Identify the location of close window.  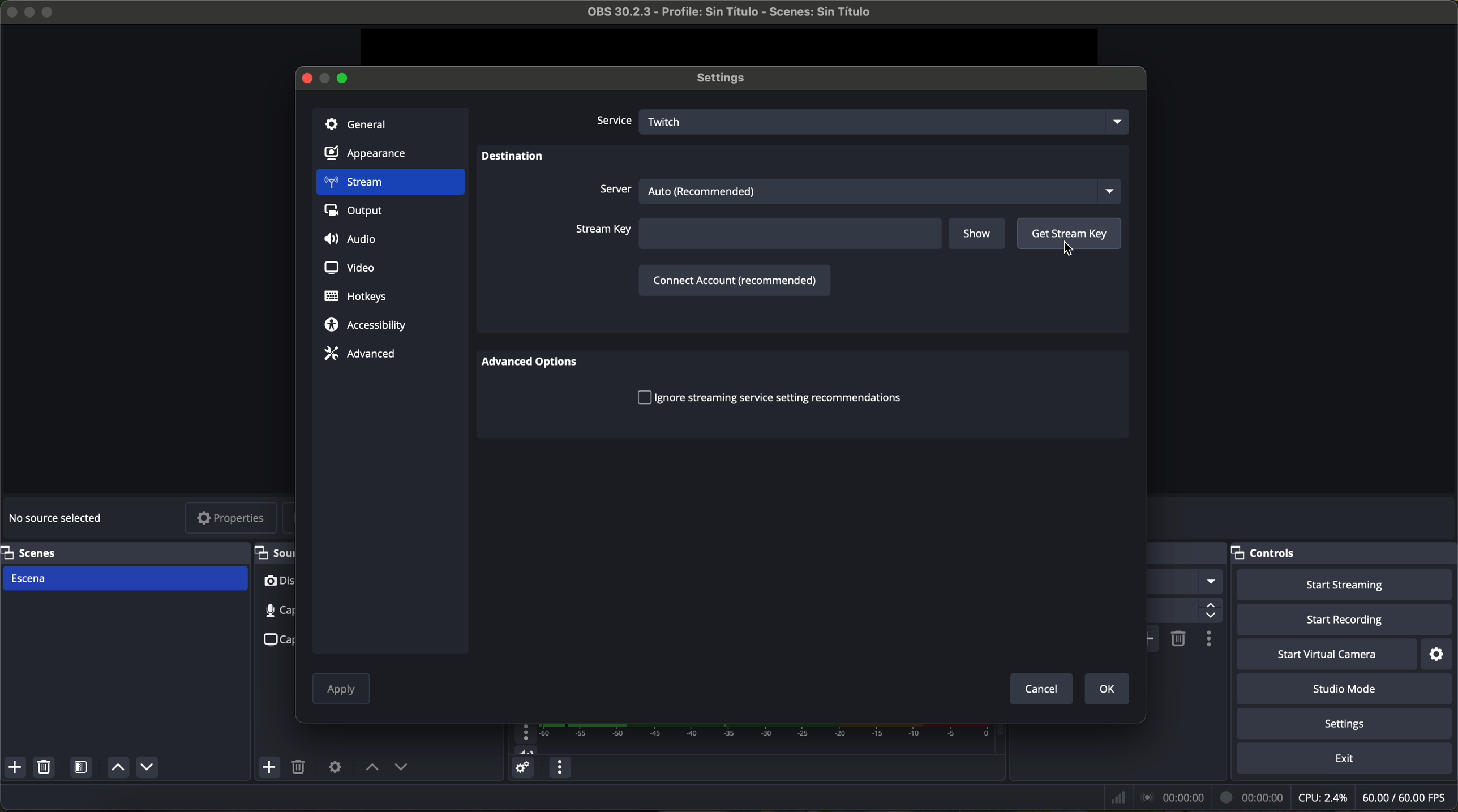
(307, 77).